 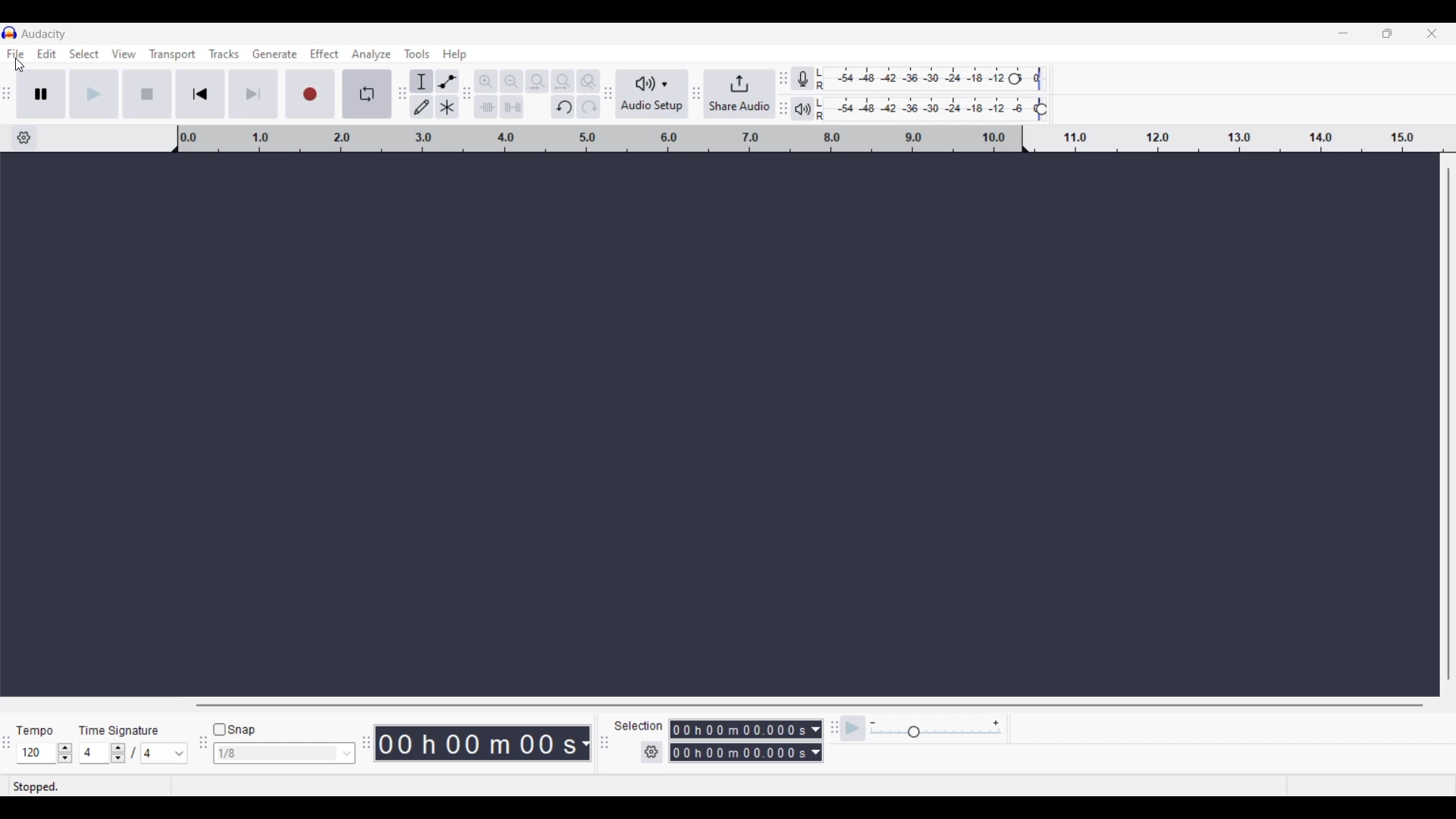 I want to click on Time Signature, so click(x=122, y=727).